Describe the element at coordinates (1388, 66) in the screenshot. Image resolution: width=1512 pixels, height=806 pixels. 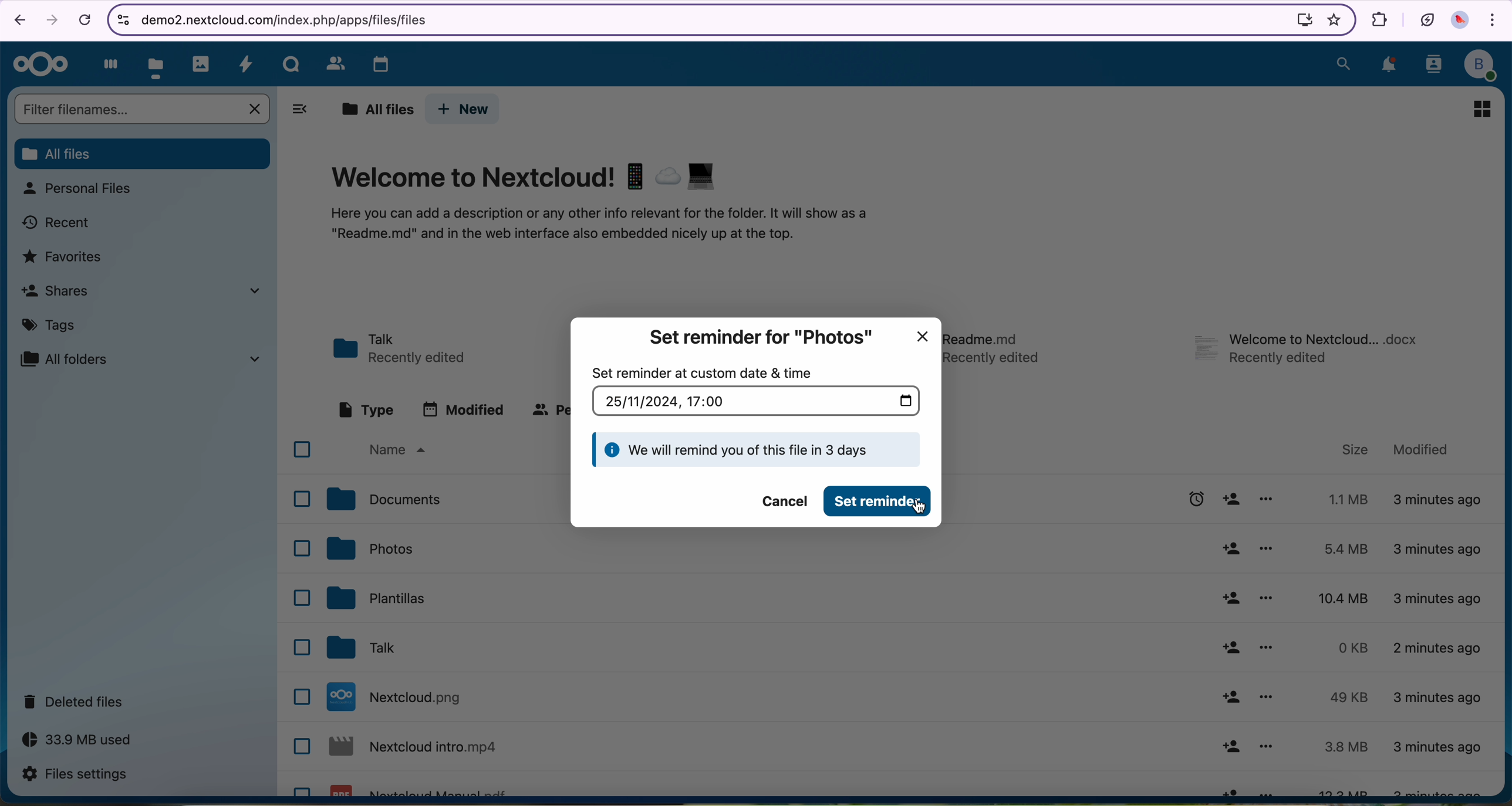
I see `notifications` at that location.